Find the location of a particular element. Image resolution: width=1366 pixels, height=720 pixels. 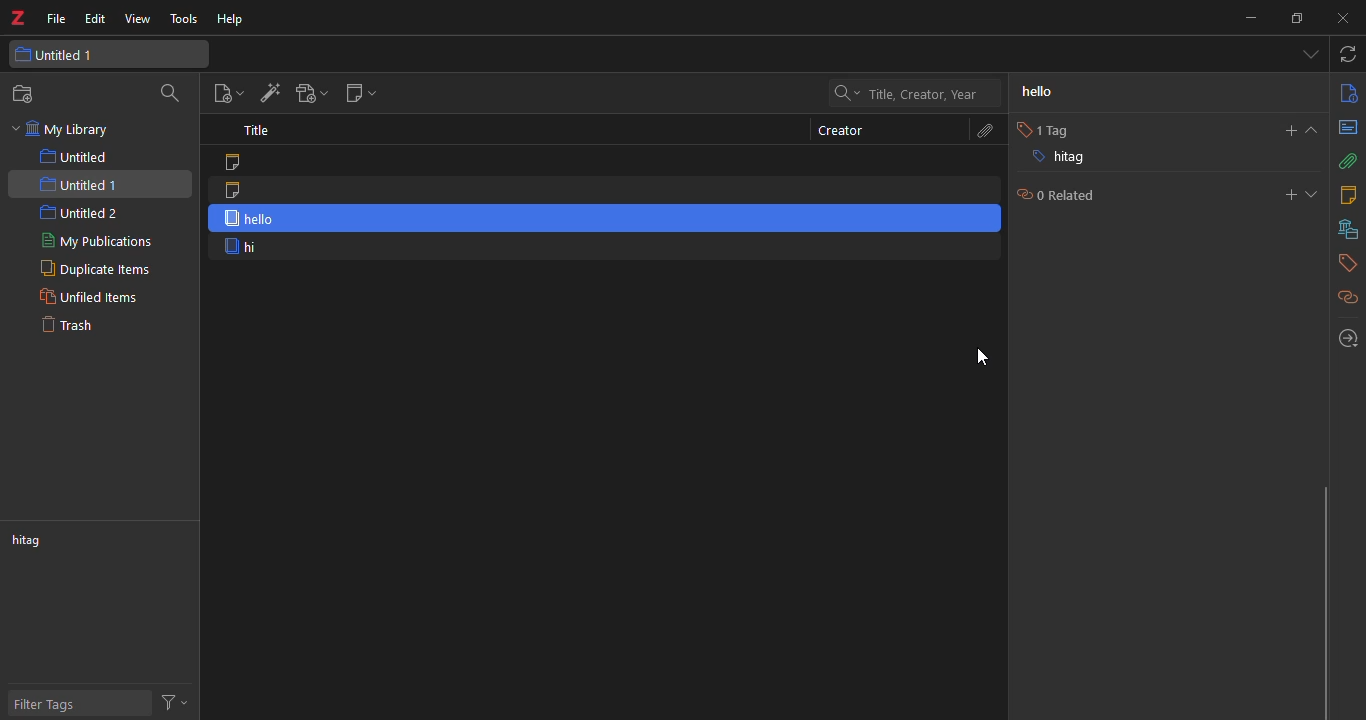

info is located at coordinates (1346, 94).